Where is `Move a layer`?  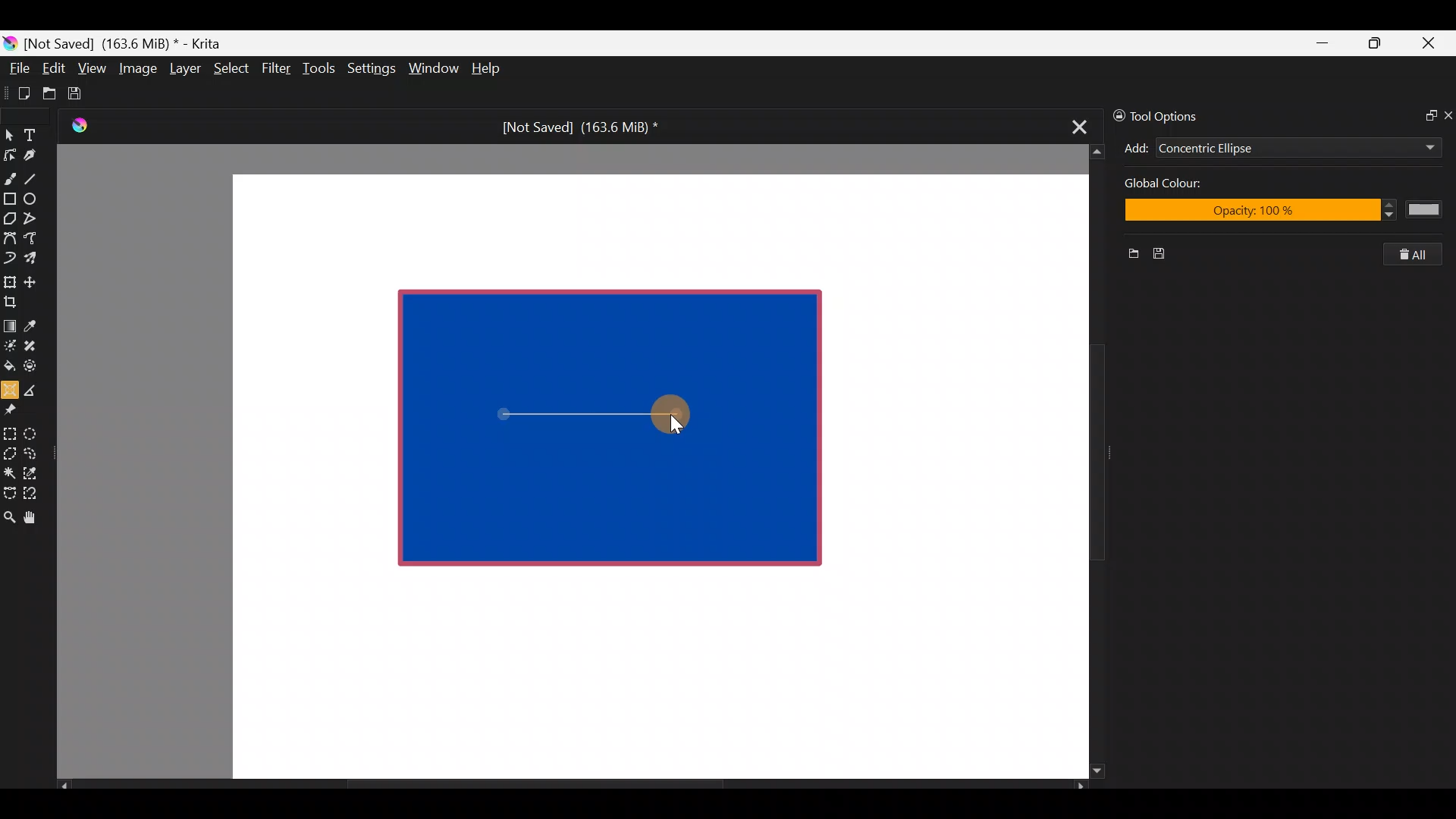
Move a layer is located at coordinates (35, 280).